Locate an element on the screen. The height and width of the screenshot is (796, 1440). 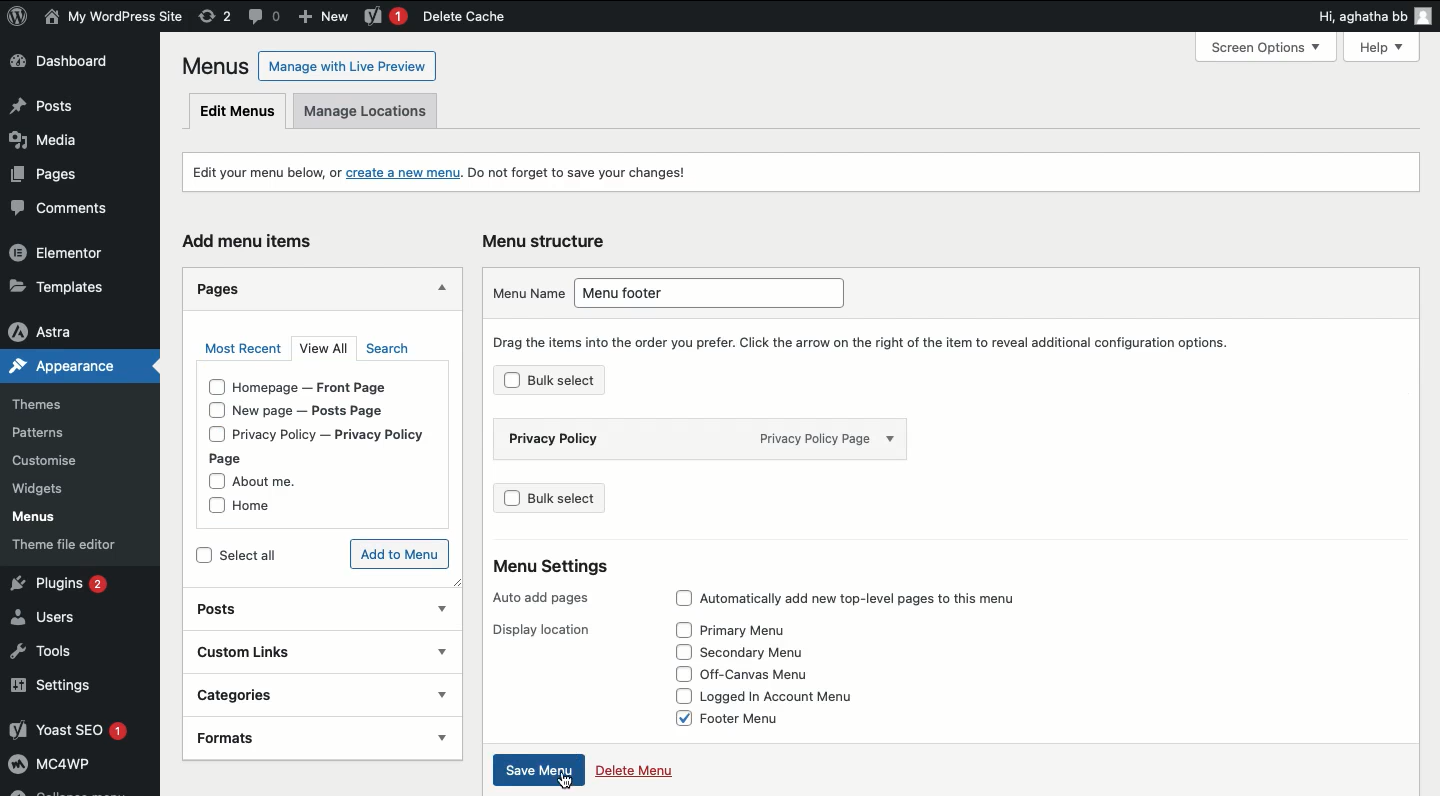
About me is located at coordinates (276, 481).